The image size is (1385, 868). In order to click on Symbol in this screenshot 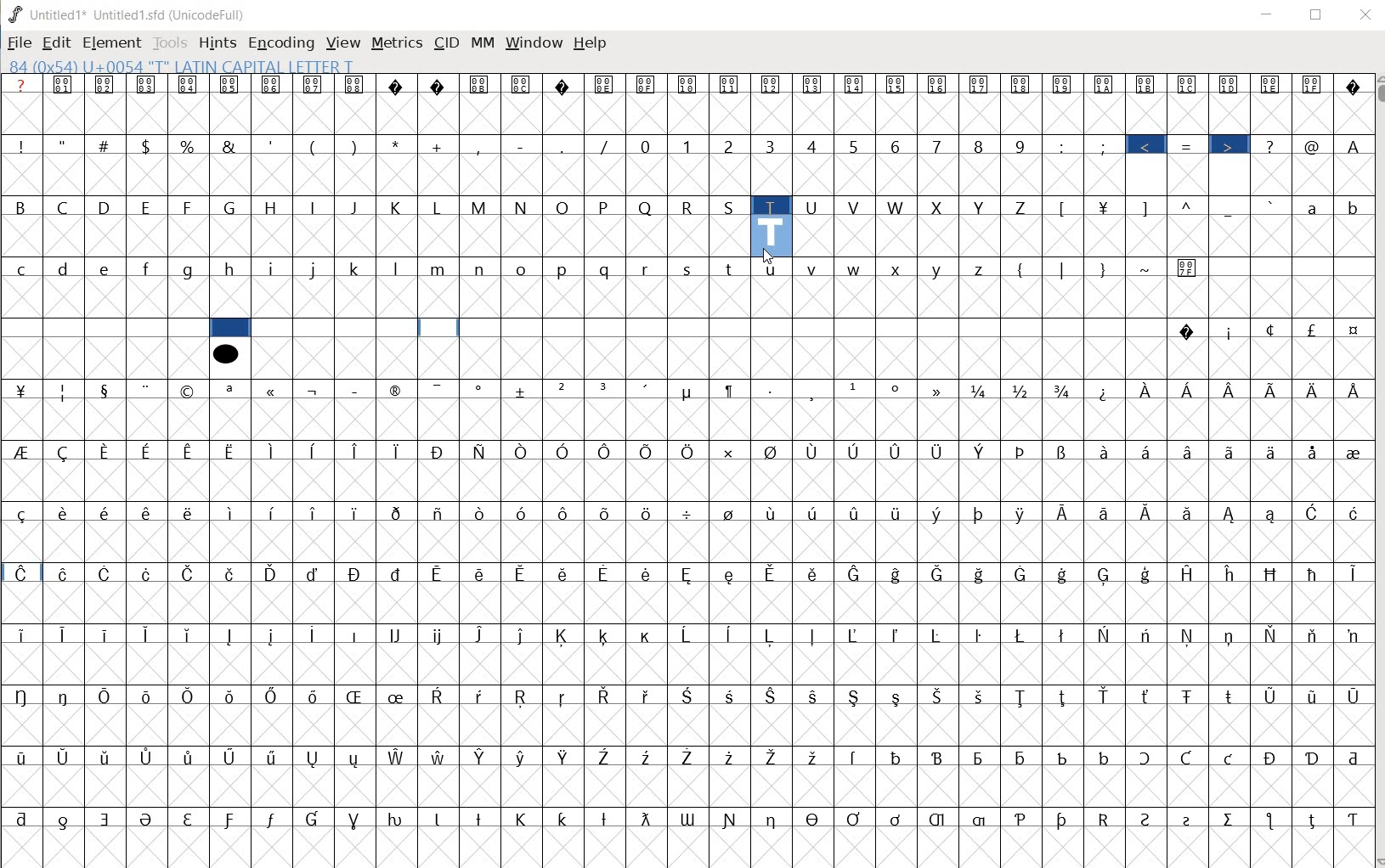, I will do `click(440, 451)`.